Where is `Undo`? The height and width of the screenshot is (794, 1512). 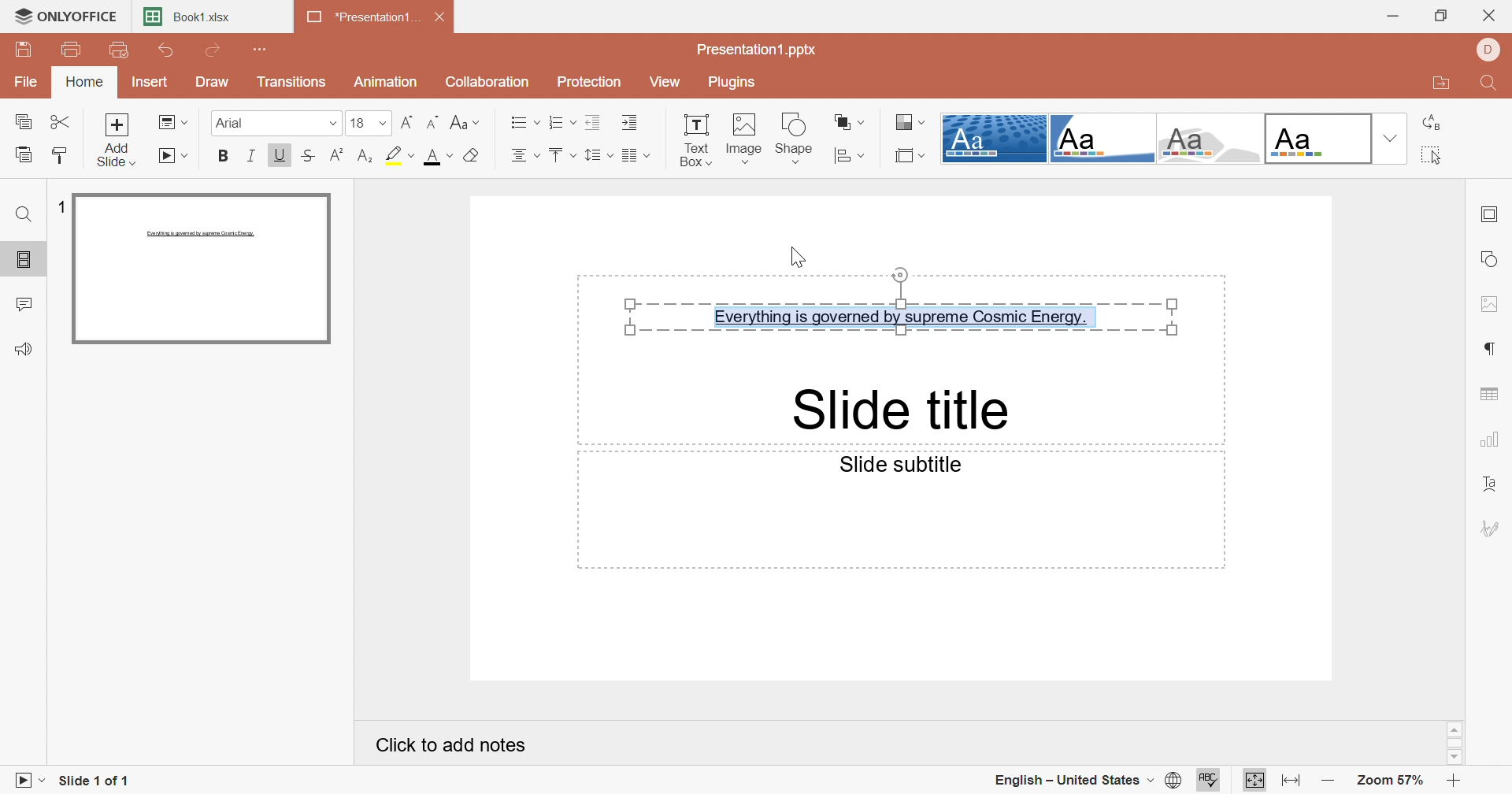
Undo is located at coordinates (168, 51).